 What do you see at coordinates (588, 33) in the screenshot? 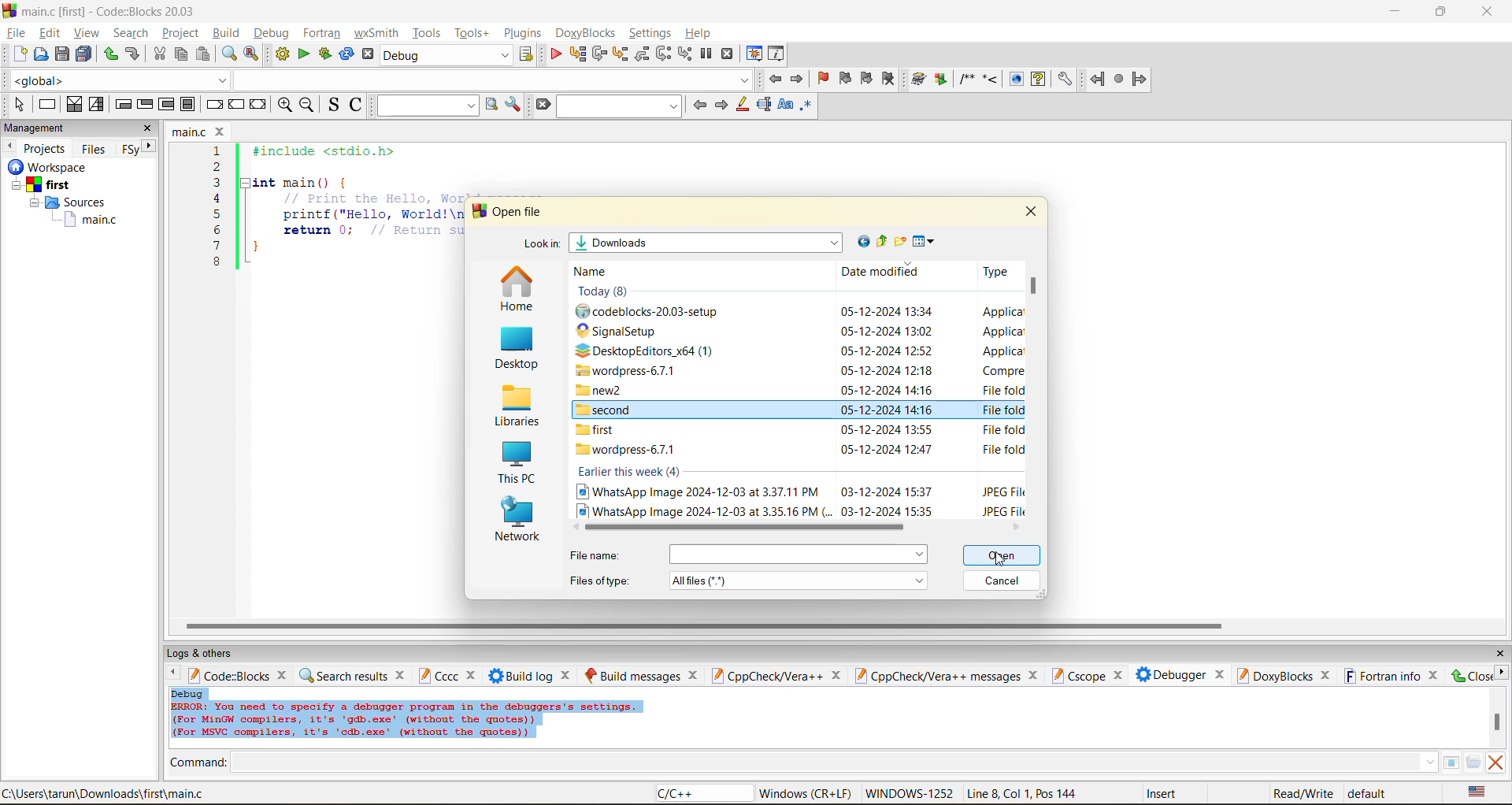
I see `doxyblocks` at bounding box center [588, 33].